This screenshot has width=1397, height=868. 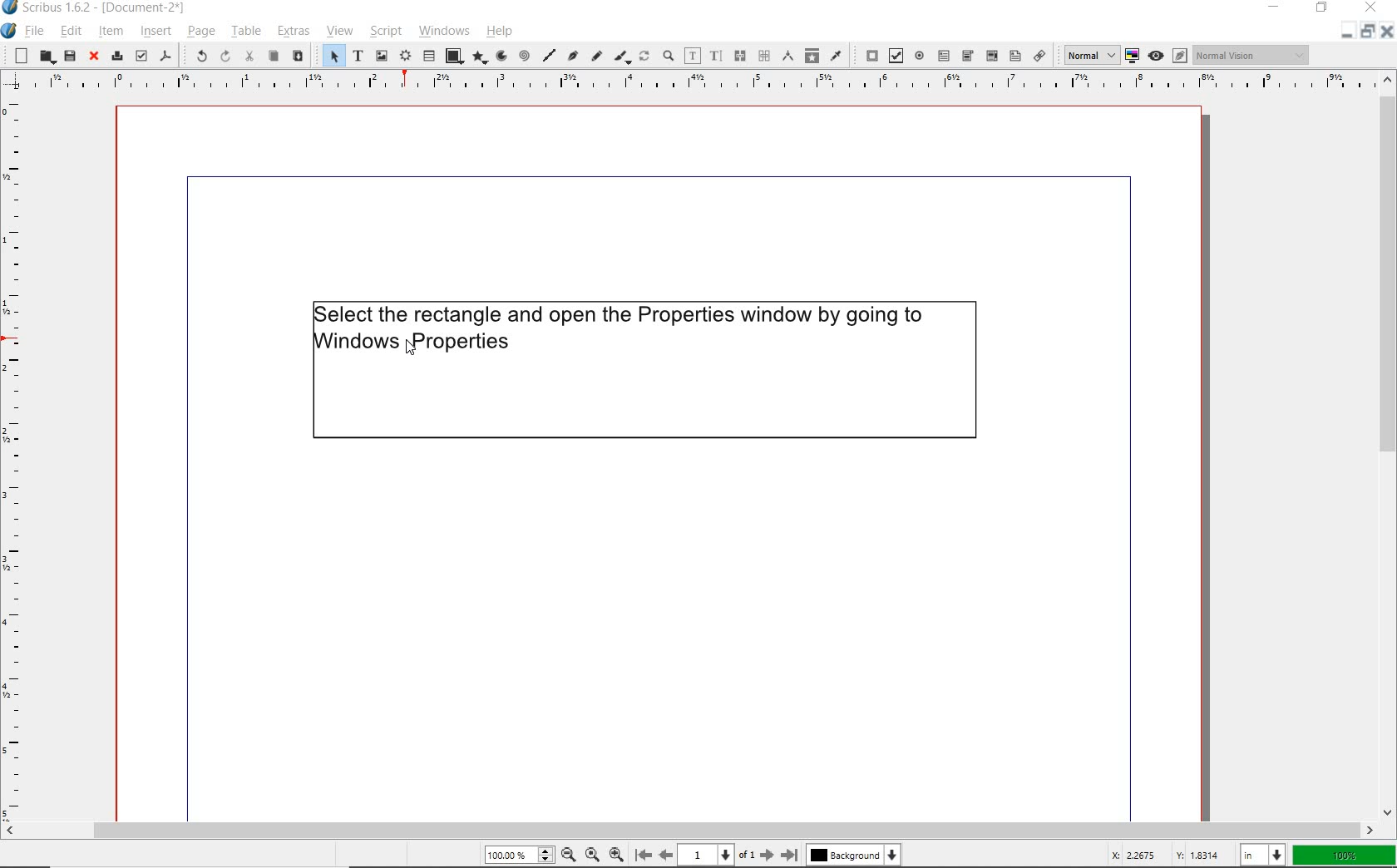 What do you see at coordinates (296, 32) in the screenshot?
I see `extras` at bounding box center [296, 32].